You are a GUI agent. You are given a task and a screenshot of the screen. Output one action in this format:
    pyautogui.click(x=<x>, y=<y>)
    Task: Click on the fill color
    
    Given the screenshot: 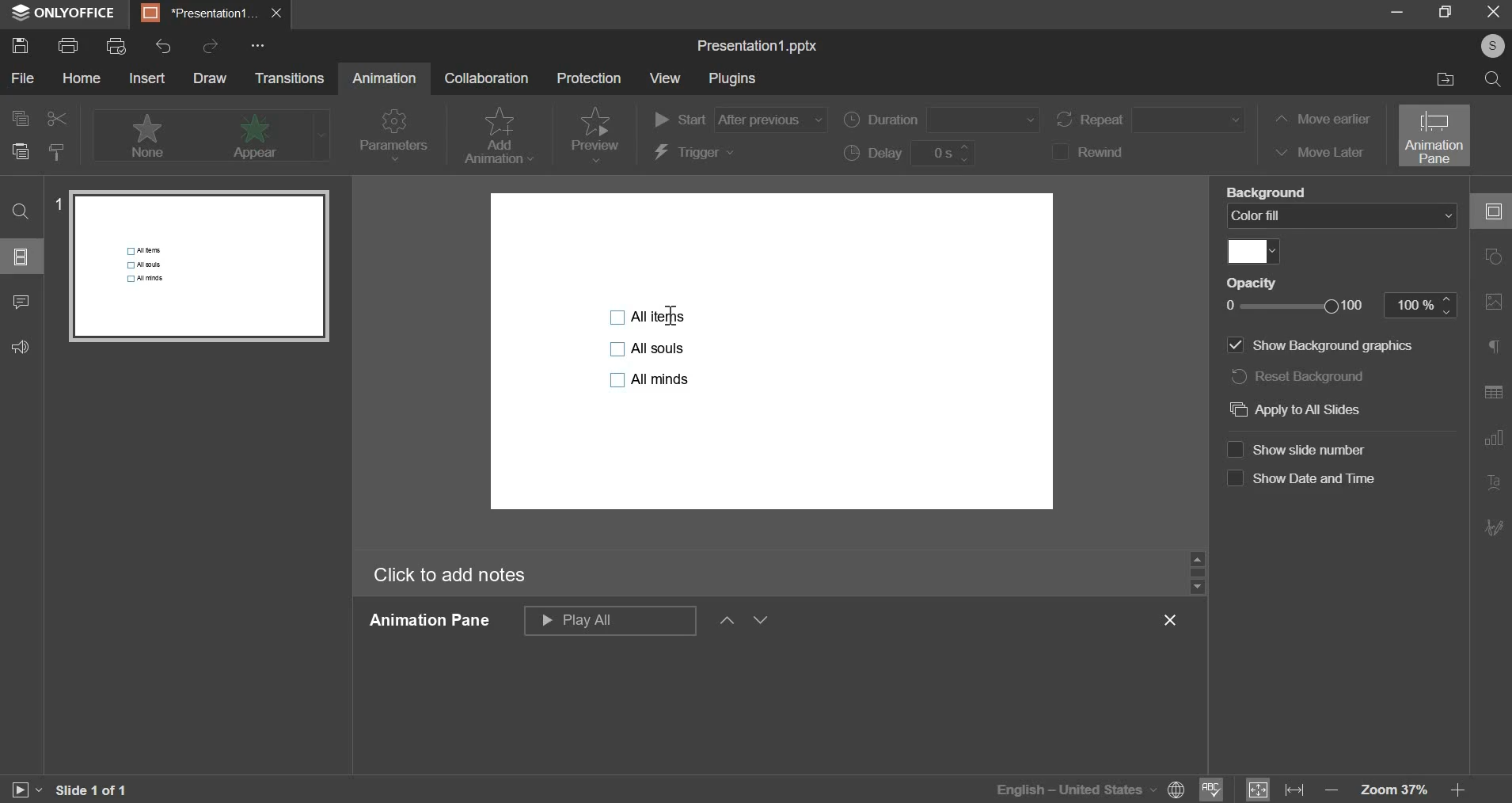 What is the action you would take?
    pyautogui.click(x=1252, y=253)
    